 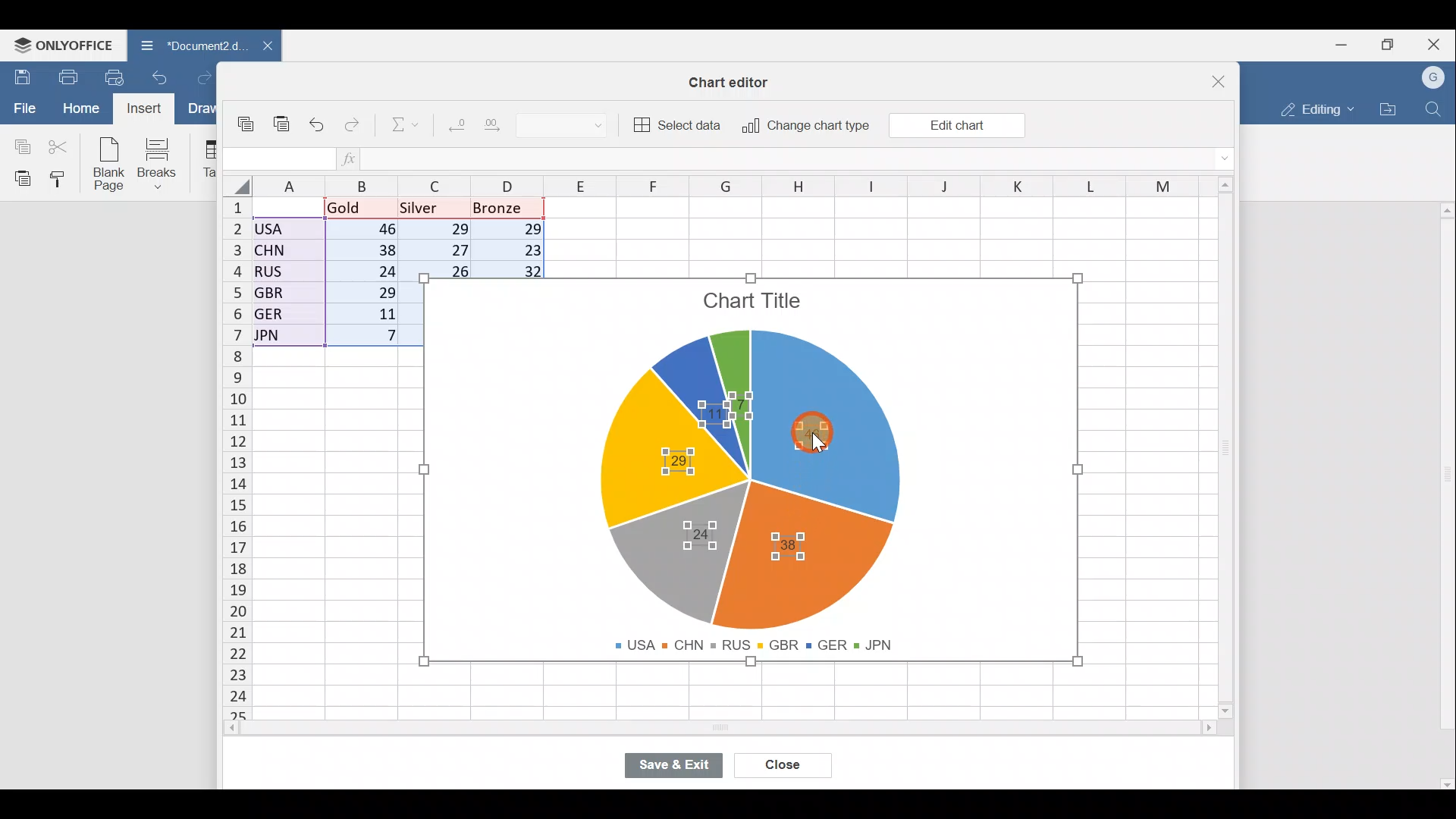 I want to click on Find, so click(x=1436, y=106).